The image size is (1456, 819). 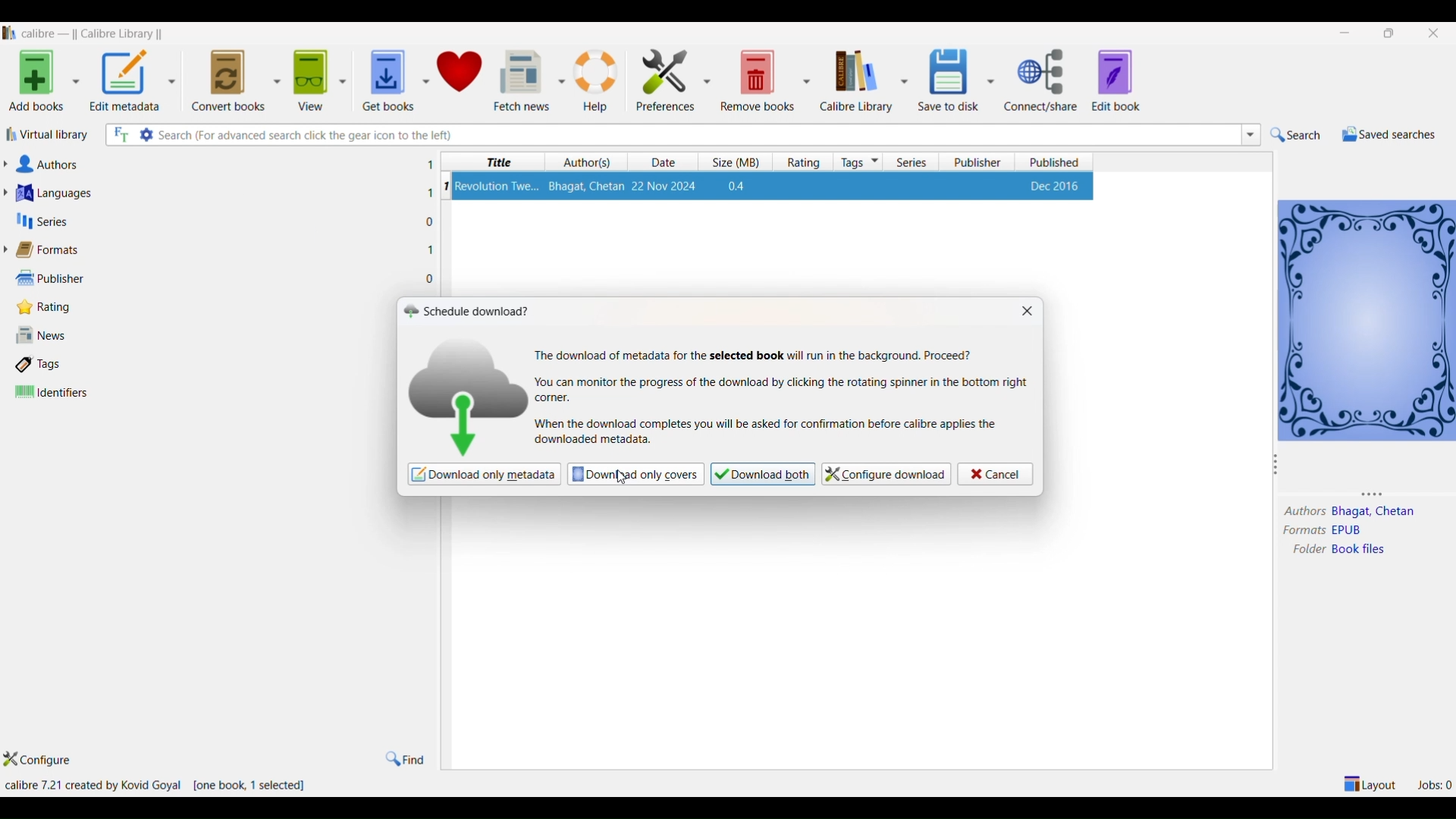 I want to click on 1, so click(x=431, y=249).